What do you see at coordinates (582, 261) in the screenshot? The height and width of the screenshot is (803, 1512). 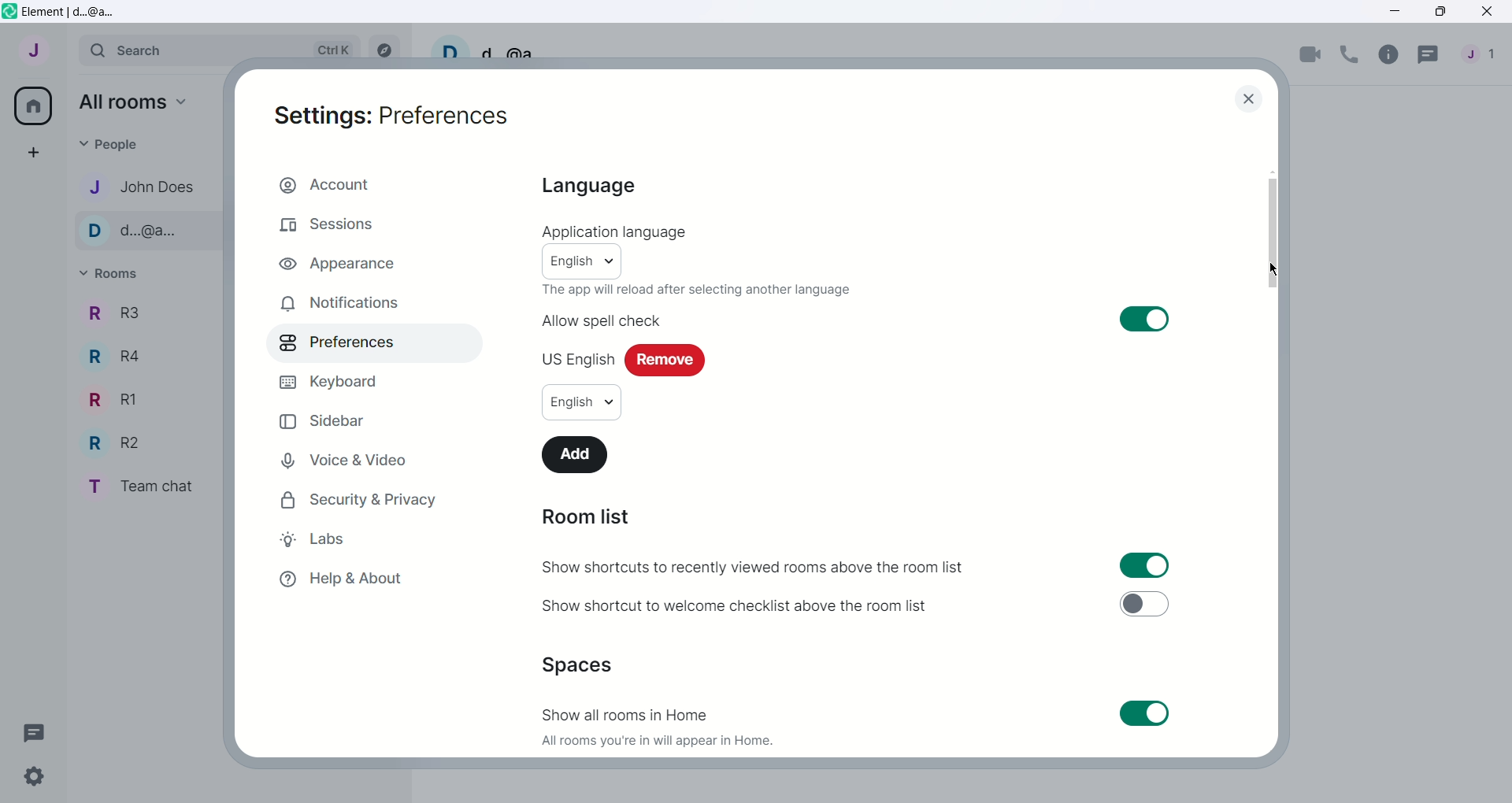 I see `English` at bounding box center [582, 261].